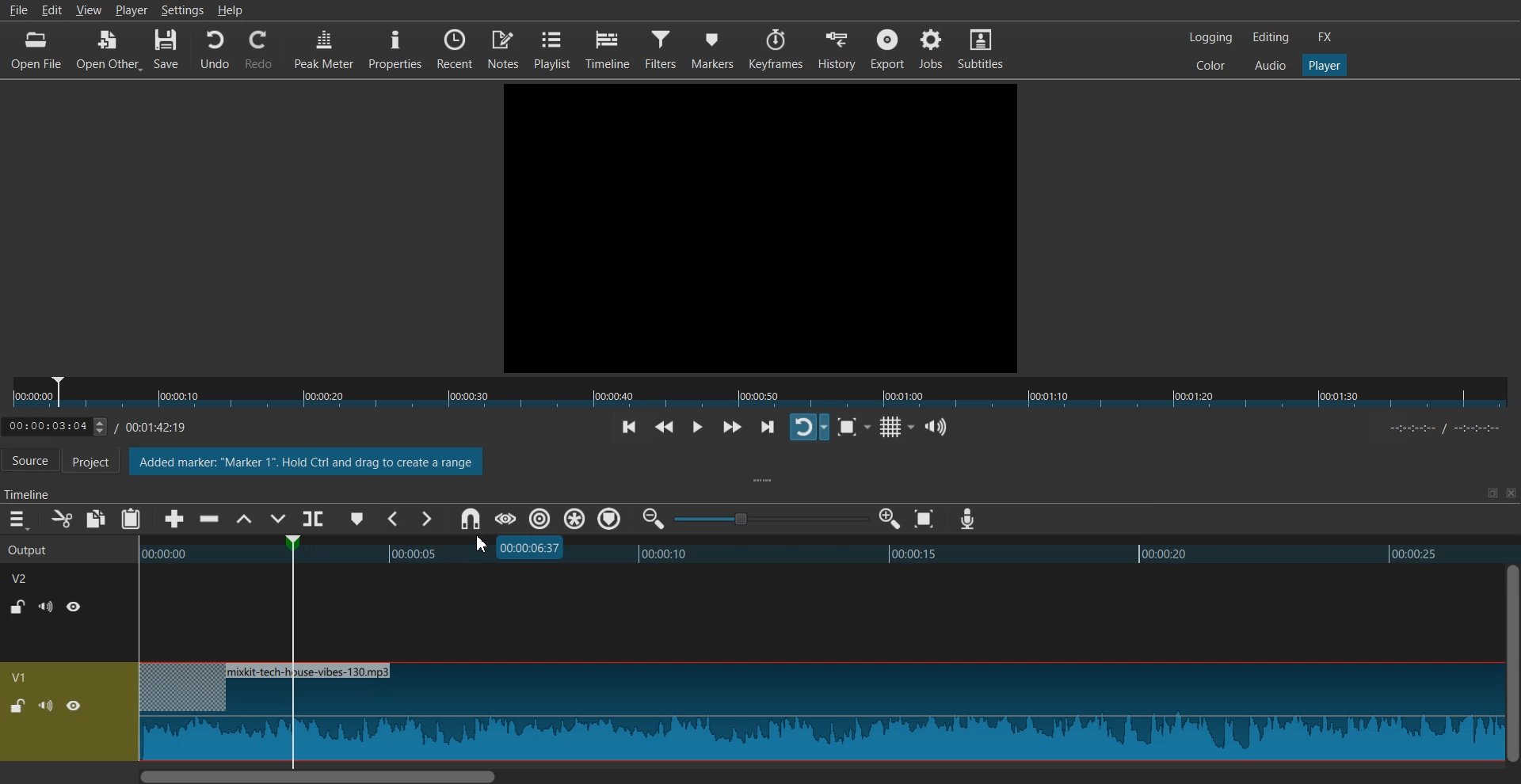 The height and width of the screenshot is (784, 1521). What do you see at coordinates (55, 10) in the screenshot?
I see `edit` at bounding box center [55, 10].